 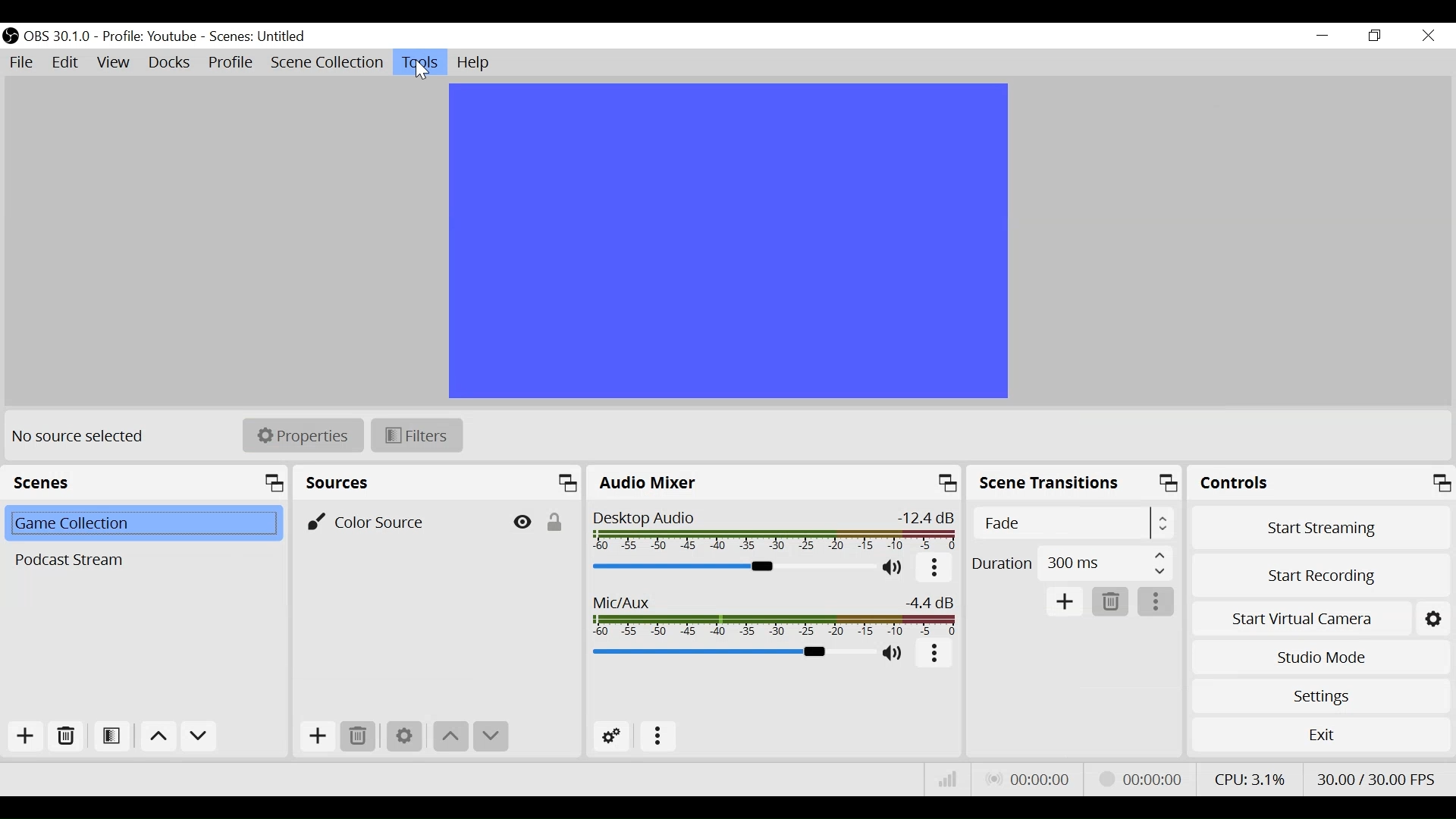 I want to click on Edit, so click(x=67, y=64).